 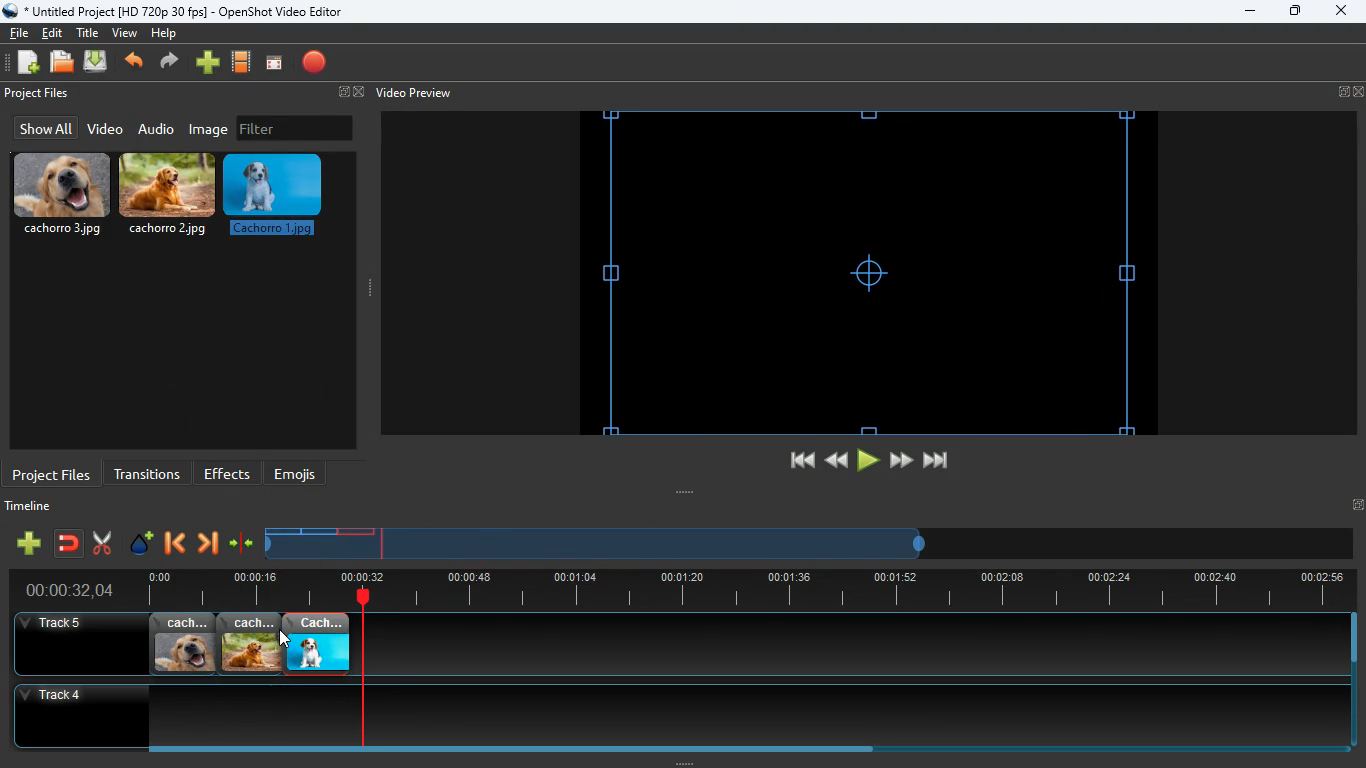 What do you see at coordinates (55, 33) in the screenshot?
I see `edit` at bounding box center [55, 33].